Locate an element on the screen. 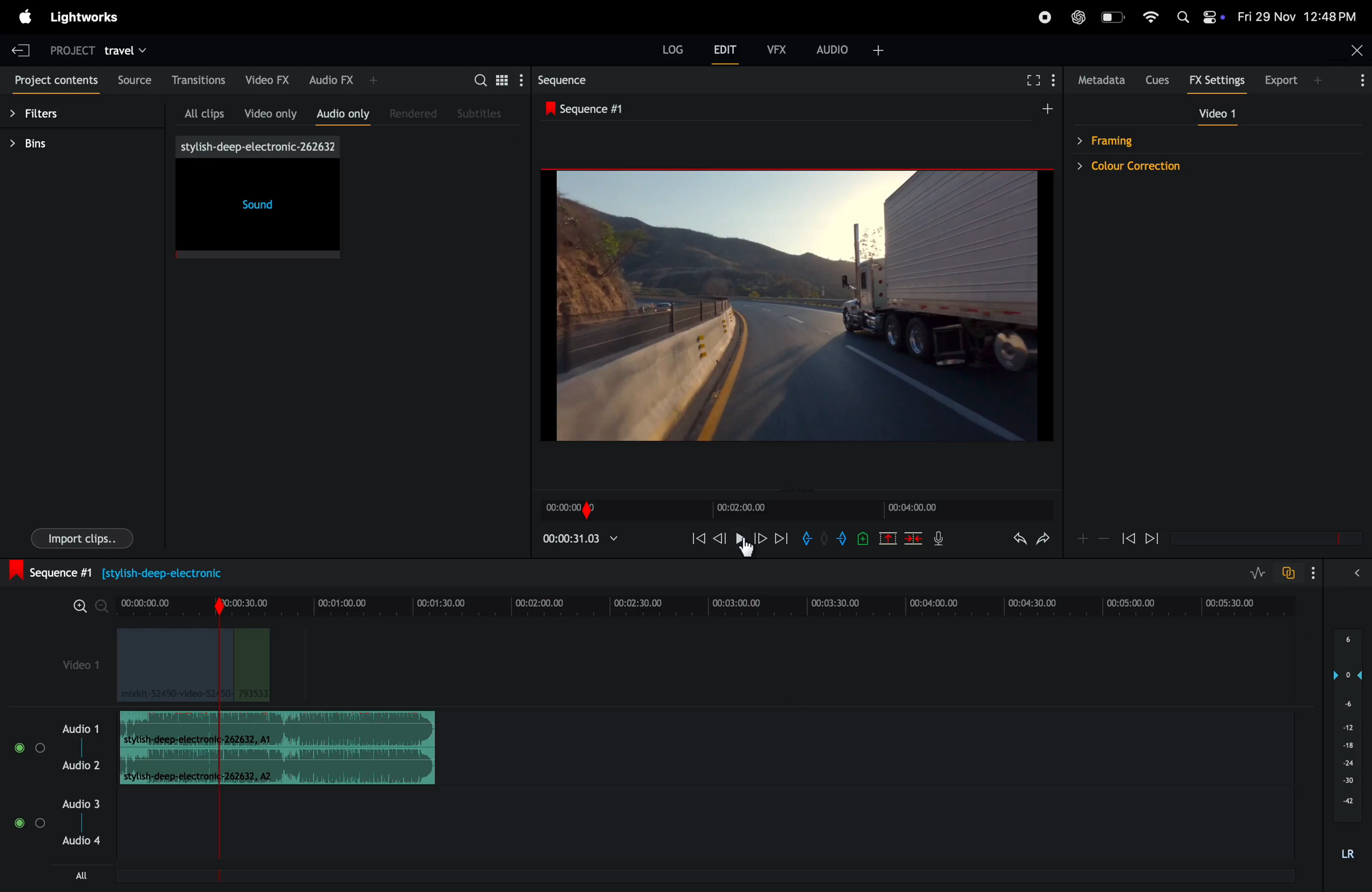 This screenshot has width=1372, height=892. Toggle is located at coordinates (40, 826).